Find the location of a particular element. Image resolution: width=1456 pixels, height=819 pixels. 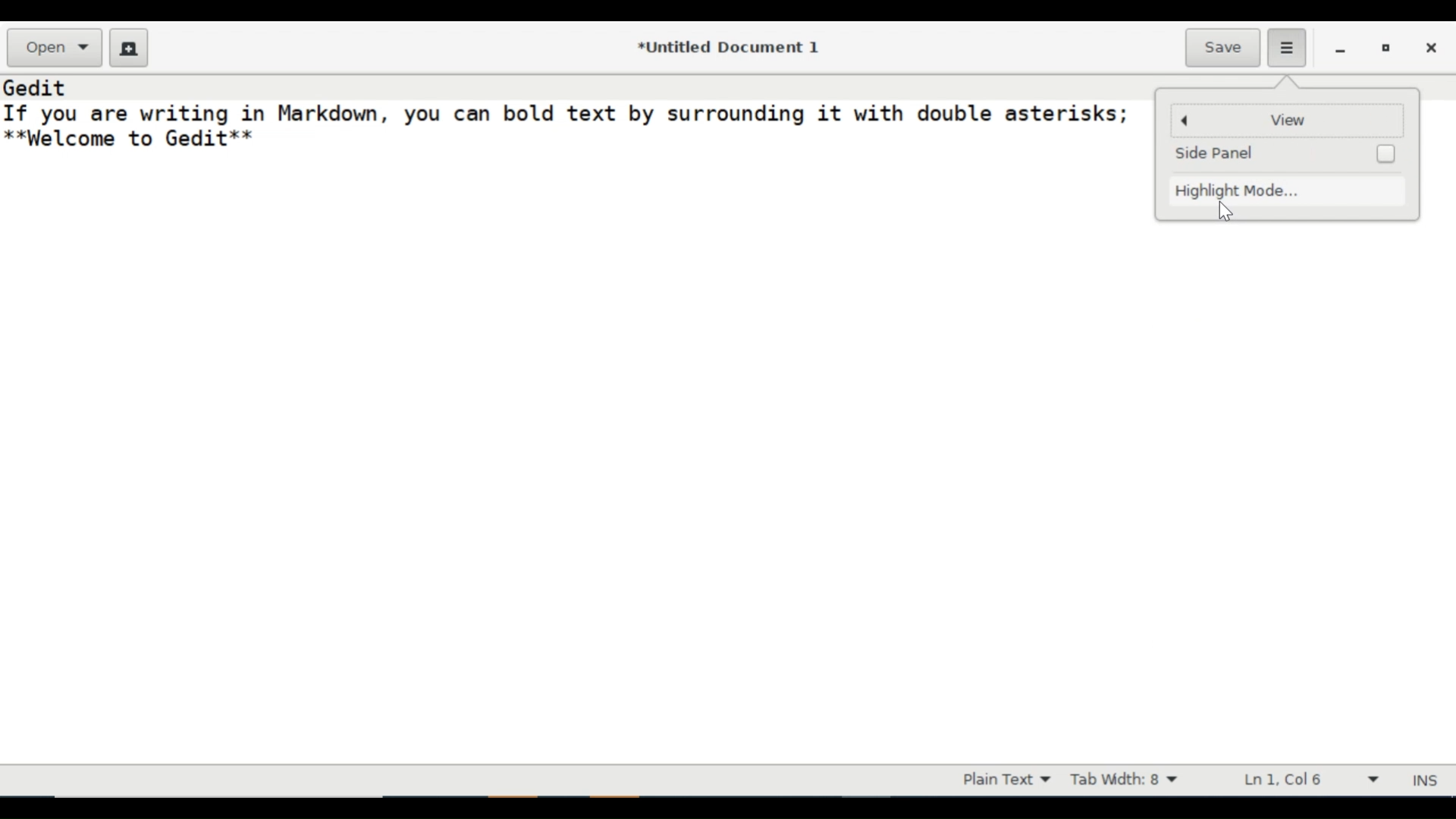

restore is located at coordinates (1391, 48).